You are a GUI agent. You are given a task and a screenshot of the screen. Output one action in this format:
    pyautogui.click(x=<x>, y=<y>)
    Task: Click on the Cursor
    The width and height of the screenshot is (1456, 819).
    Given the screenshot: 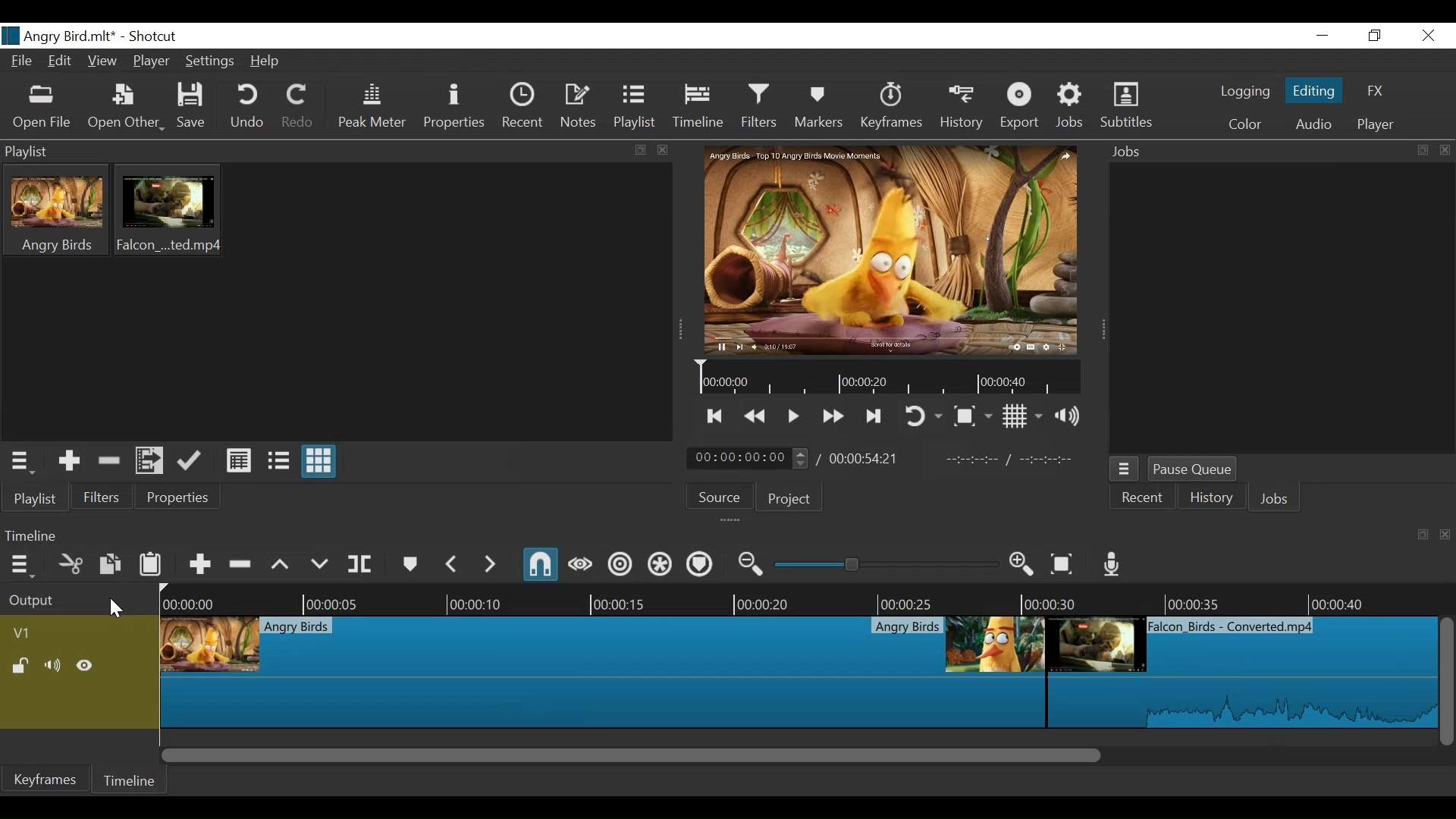 What is the action you would take?
    pyautogui.click(x=118, y=607)
    